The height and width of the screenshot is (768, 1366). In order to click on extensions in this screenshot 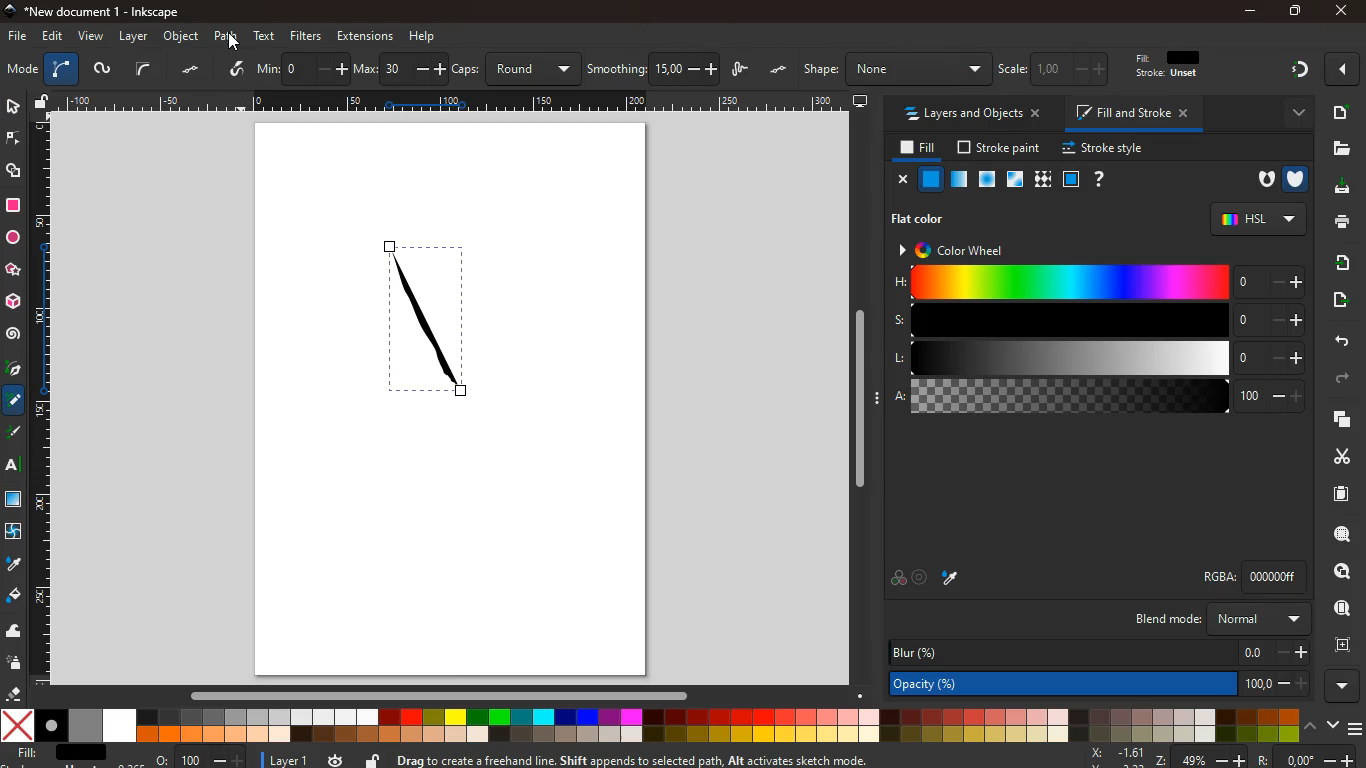, I will do `click(365, 36)`.